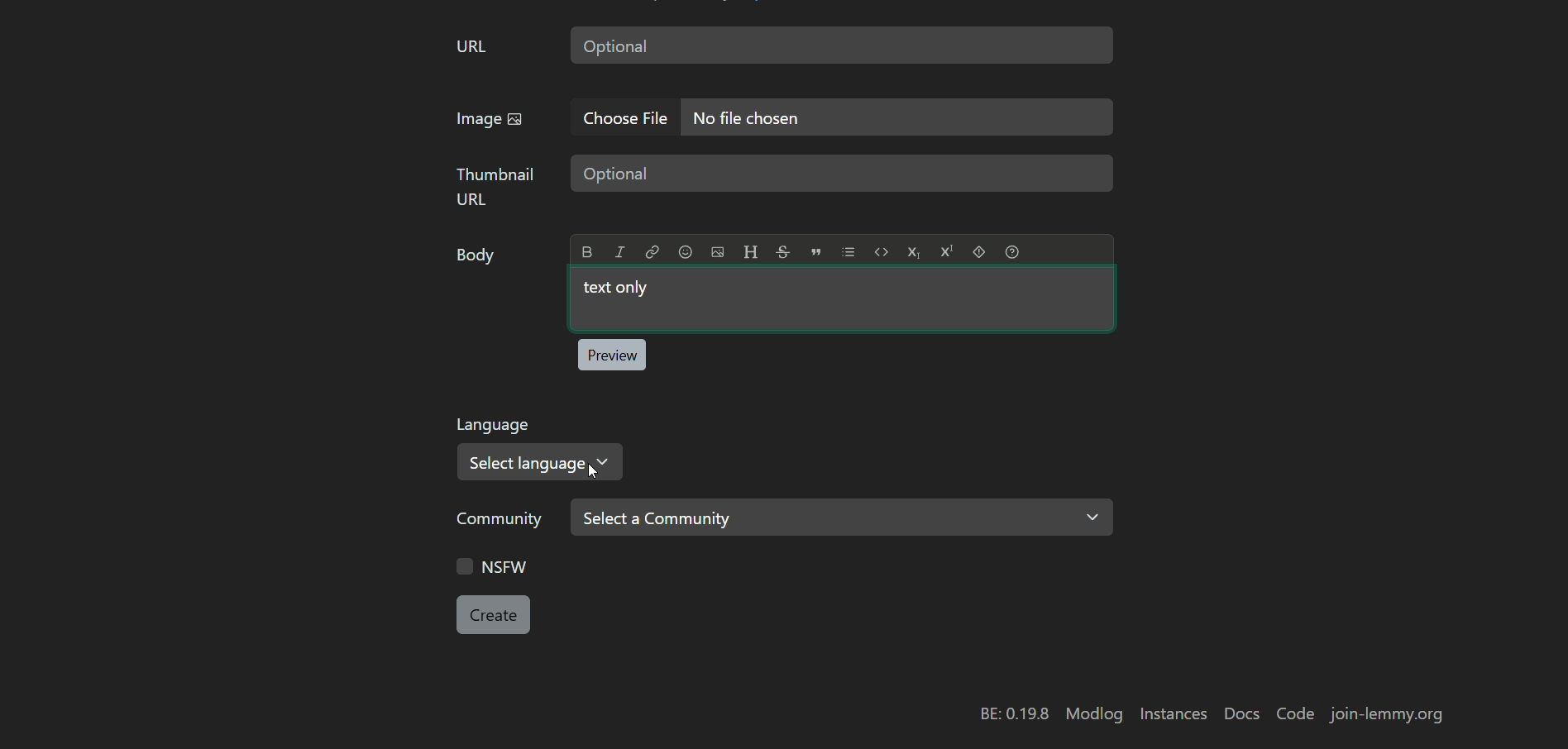 The height and width of the screenshot is (749, 1568). Describe the element at coordinates (1094, 714) in the screenshot. I see `modlog` at that location.